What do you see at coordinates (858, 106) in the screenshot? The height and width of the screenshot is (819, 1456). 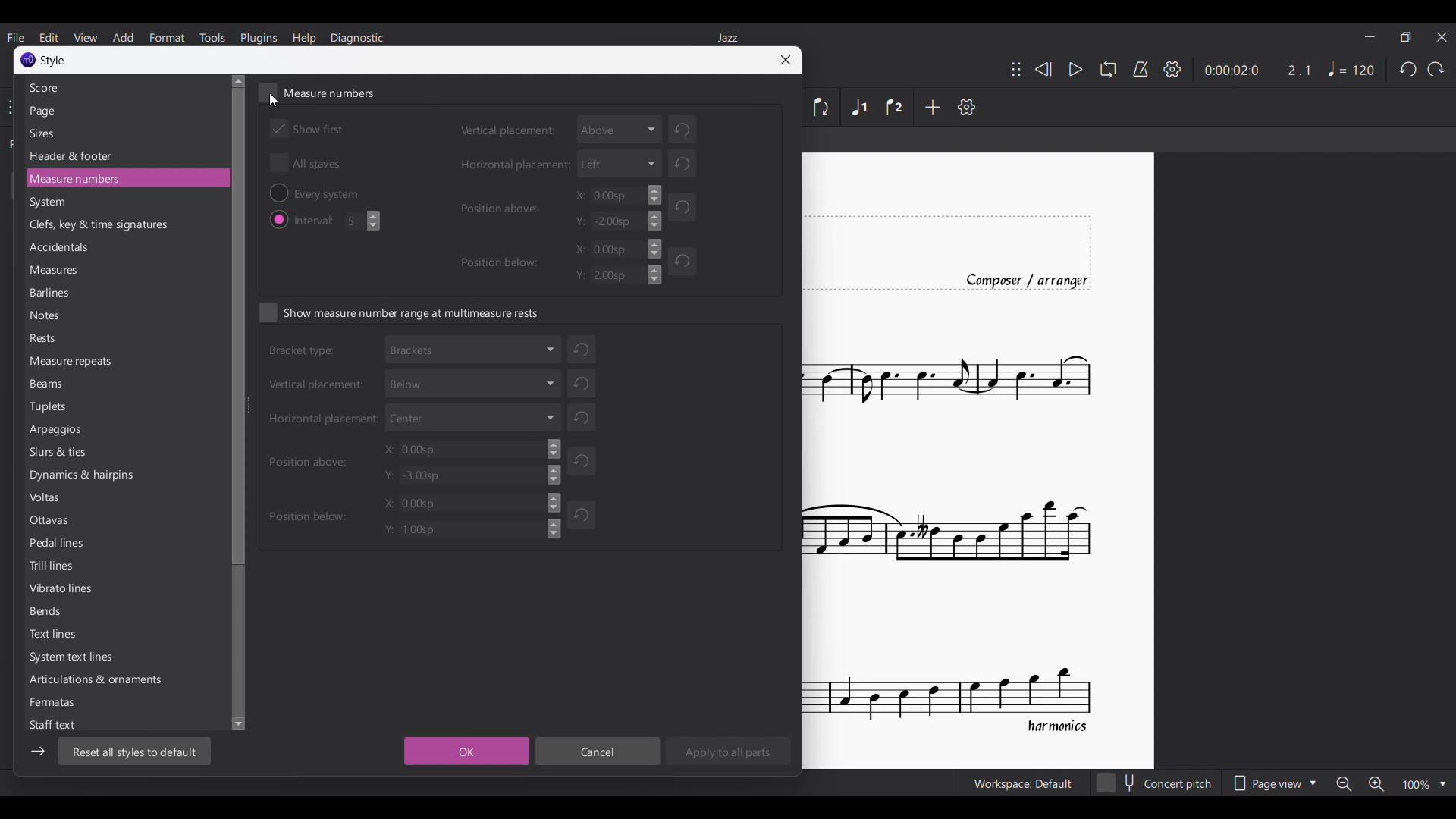 I see `Voice 1` at bounding box center [858, 106].